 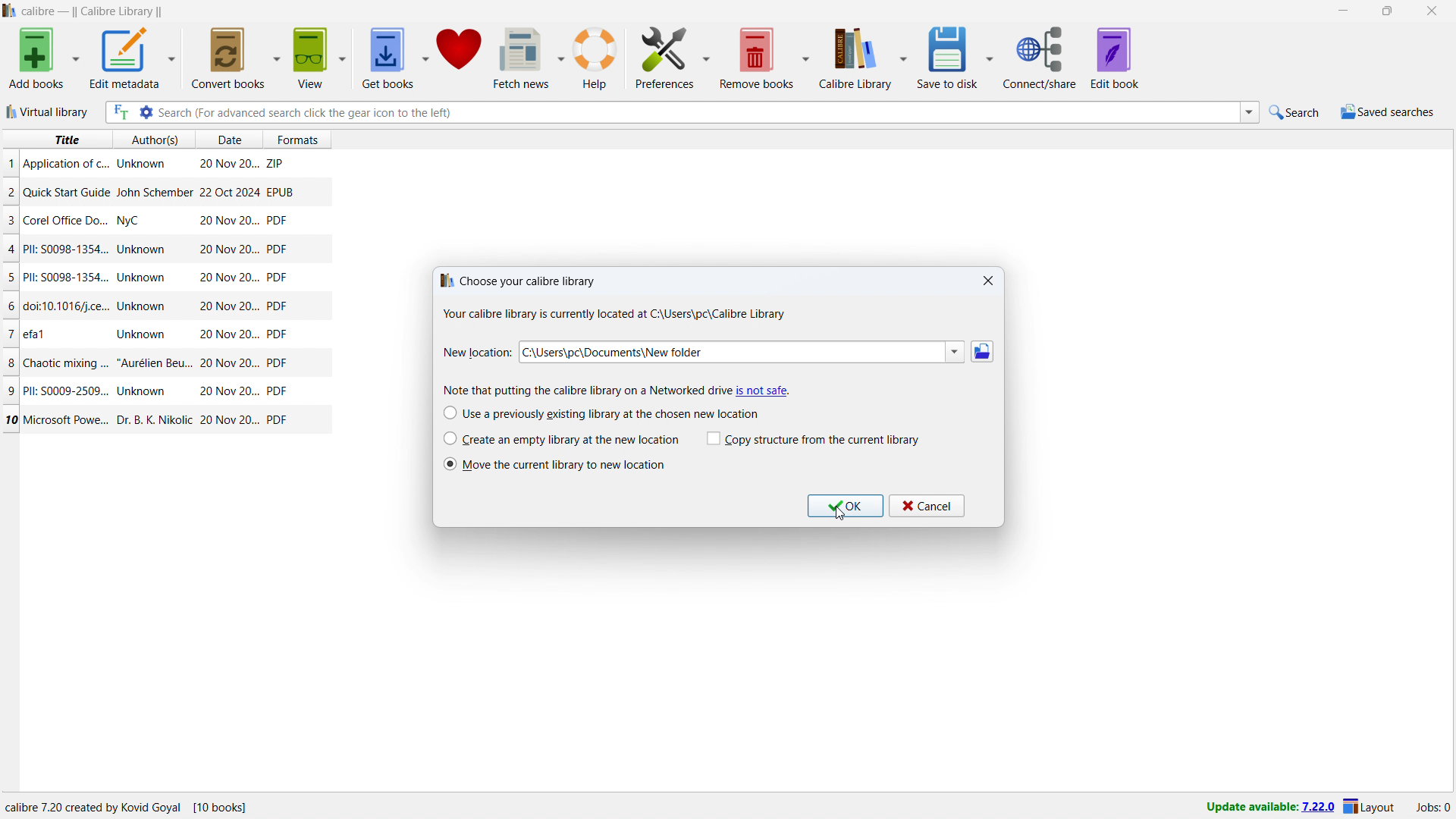 I want to click on PDF, so click(x=278, y=419).